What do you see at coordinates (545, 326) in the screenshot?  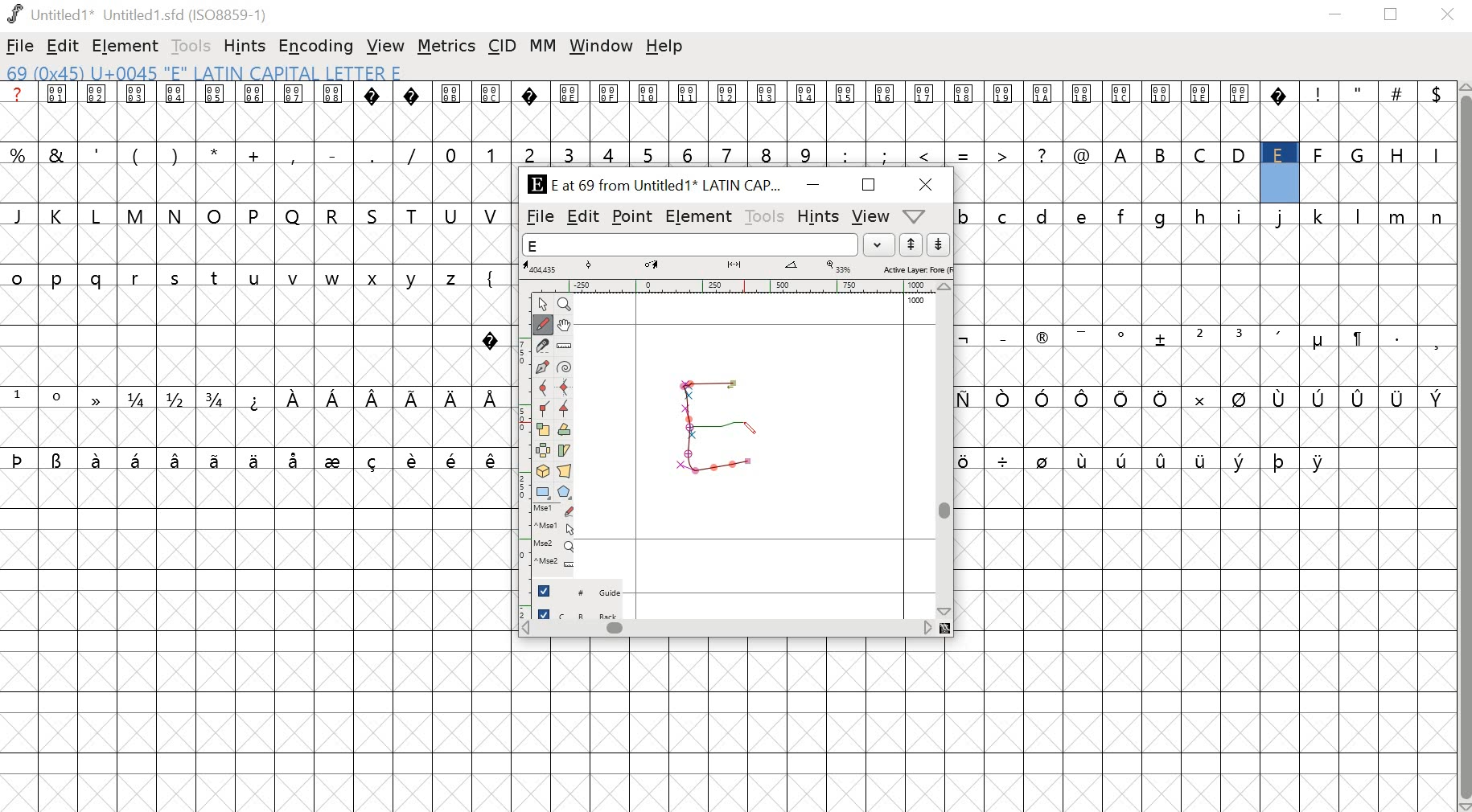 I see `Freehand` at bounding box center [545, 326].